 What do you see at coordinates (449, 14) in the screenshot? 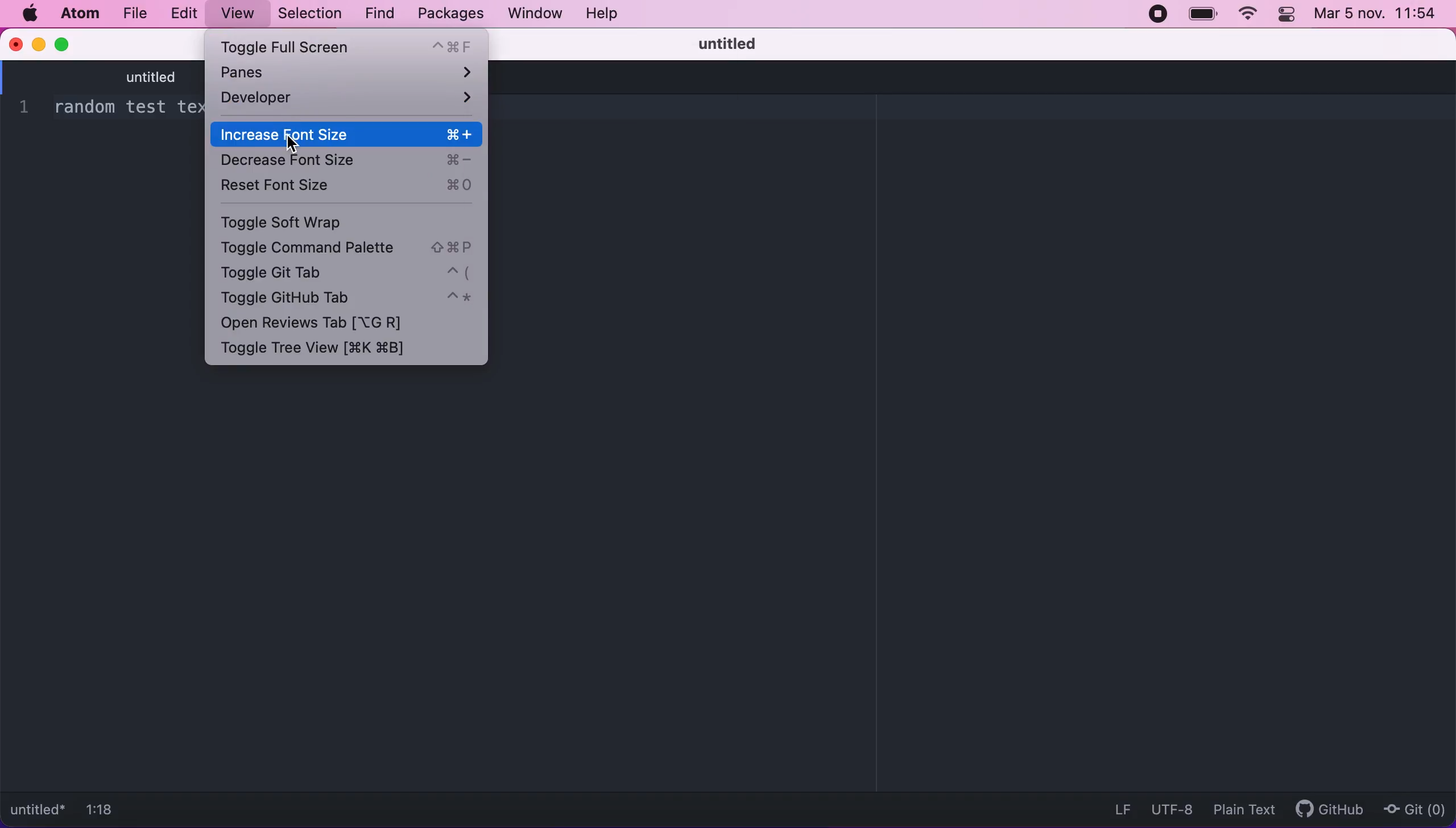
I see `packages` at bounding box center [449, 14].